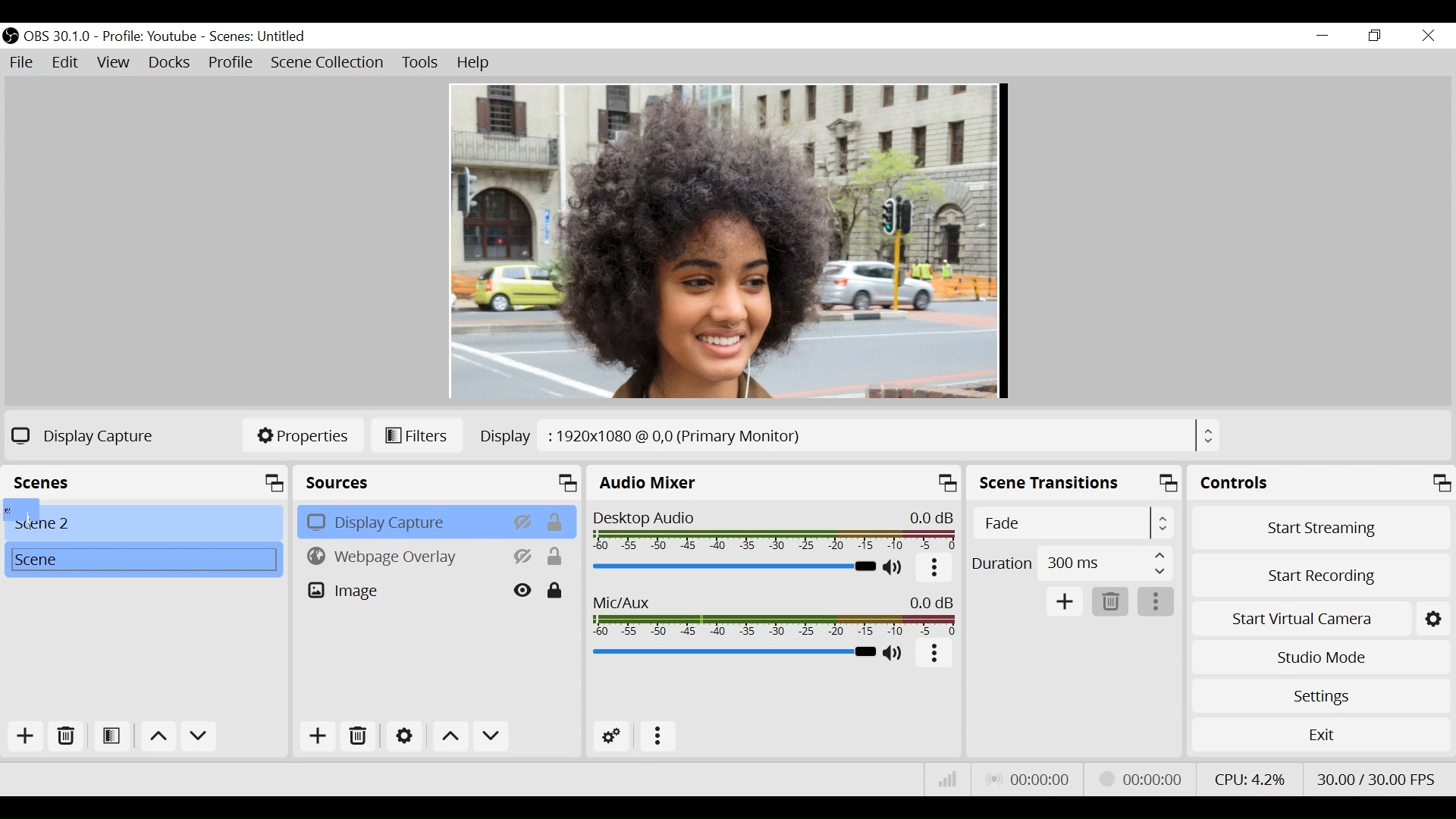  Describe the element at coordinates (64, 63) in the screenshot. I see `Edit` at that location.